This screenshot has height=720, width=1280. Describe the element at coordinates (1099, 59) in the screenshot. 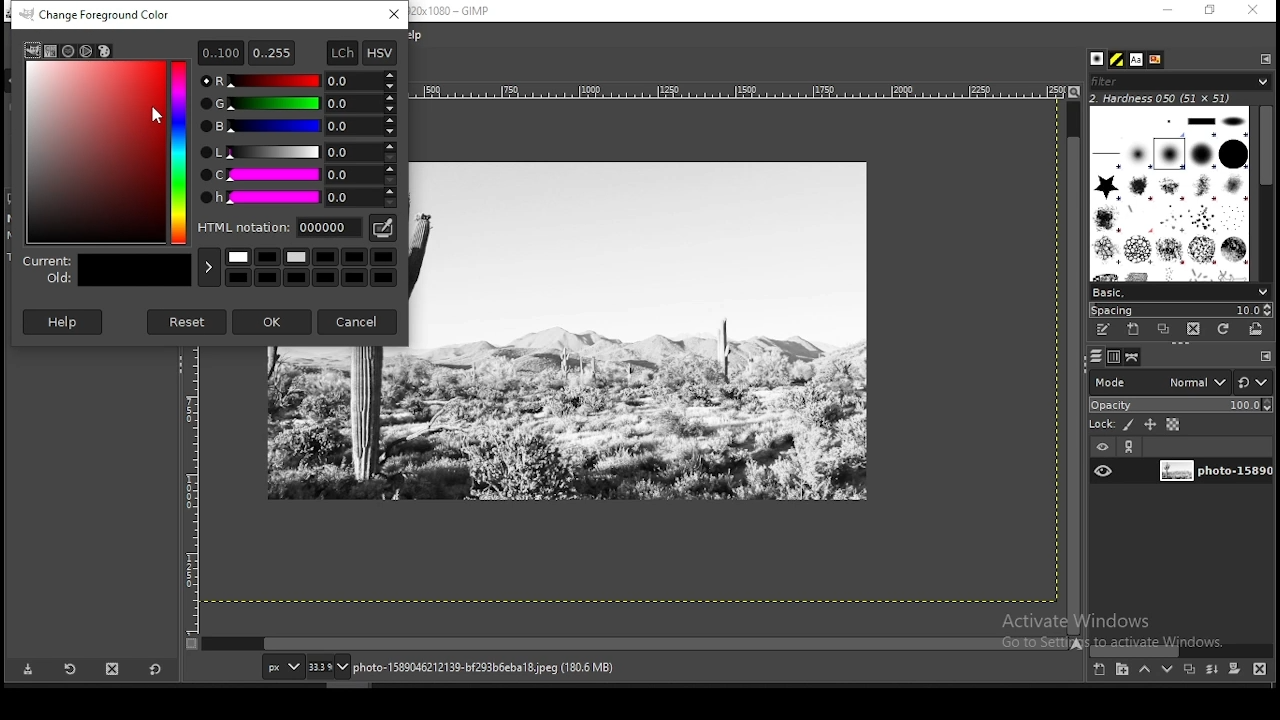

I see `brushes` at that location.